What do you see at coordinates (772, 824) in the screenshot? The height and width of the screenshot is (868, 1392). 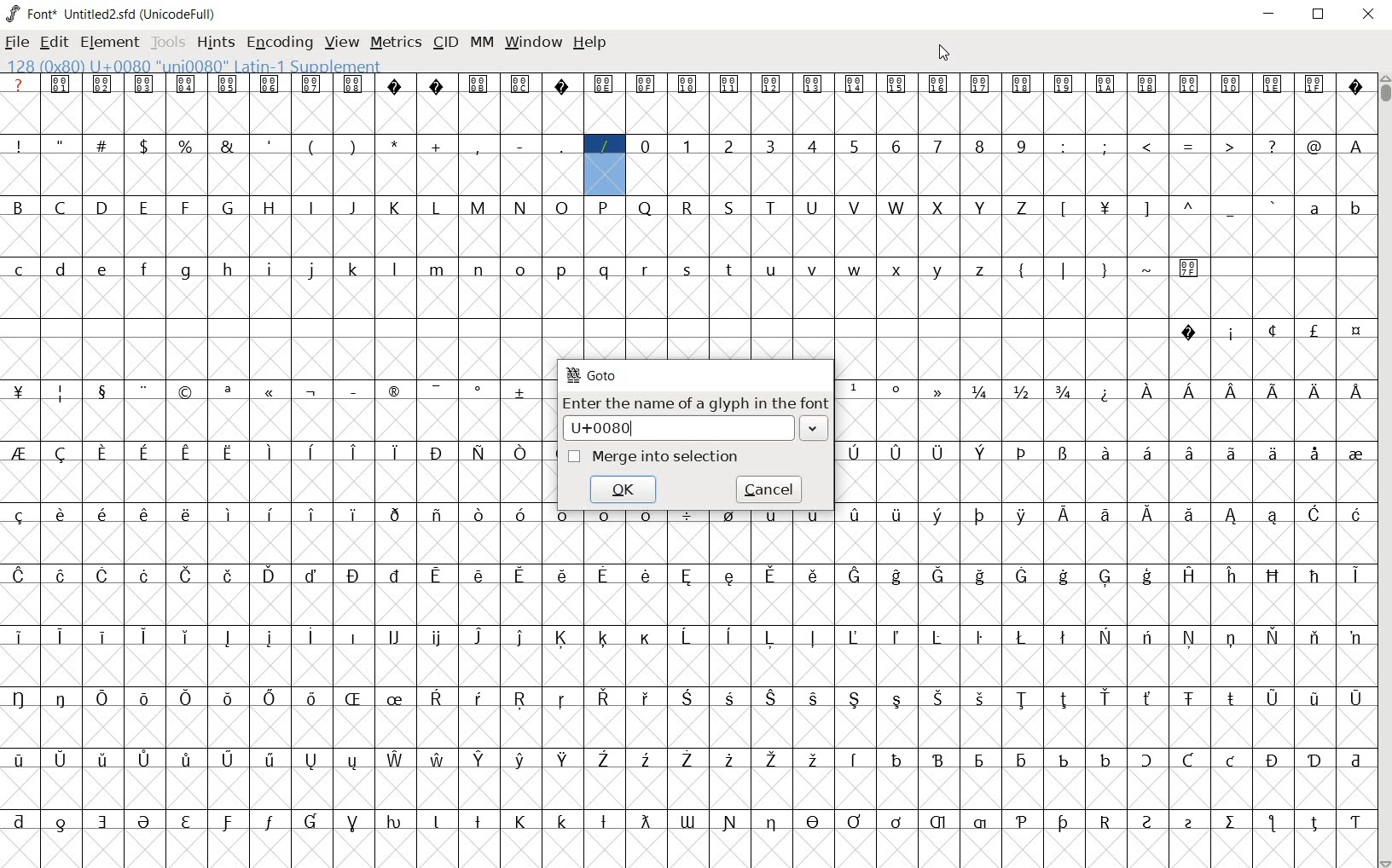 I see `glyph` at bounding box center [772, 824].